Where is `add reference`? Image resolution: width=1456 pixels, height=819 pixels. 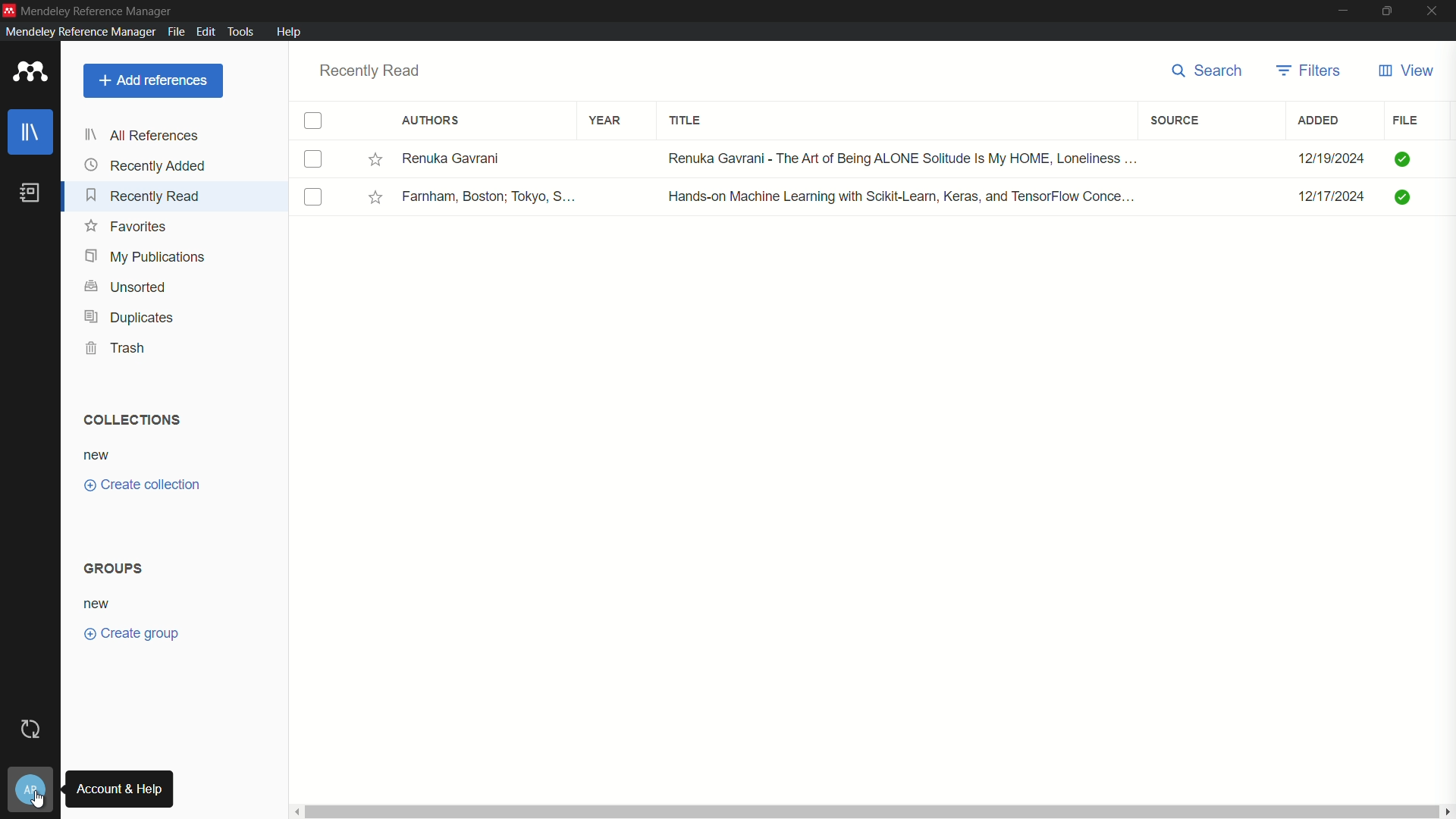 add reference is located at coordinates (152, 80).